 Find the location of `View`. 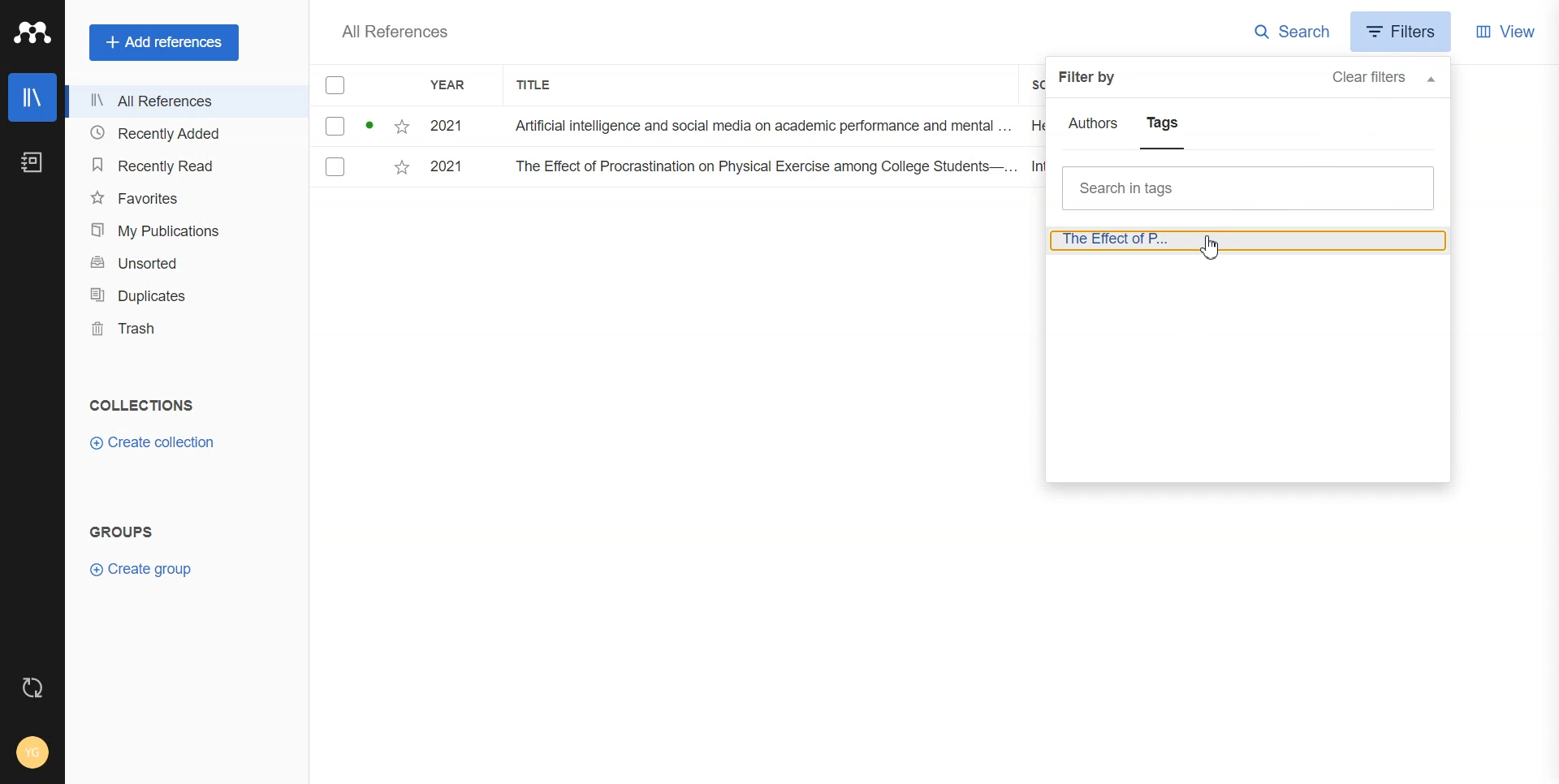

View is located at coordinates (1508, 30).